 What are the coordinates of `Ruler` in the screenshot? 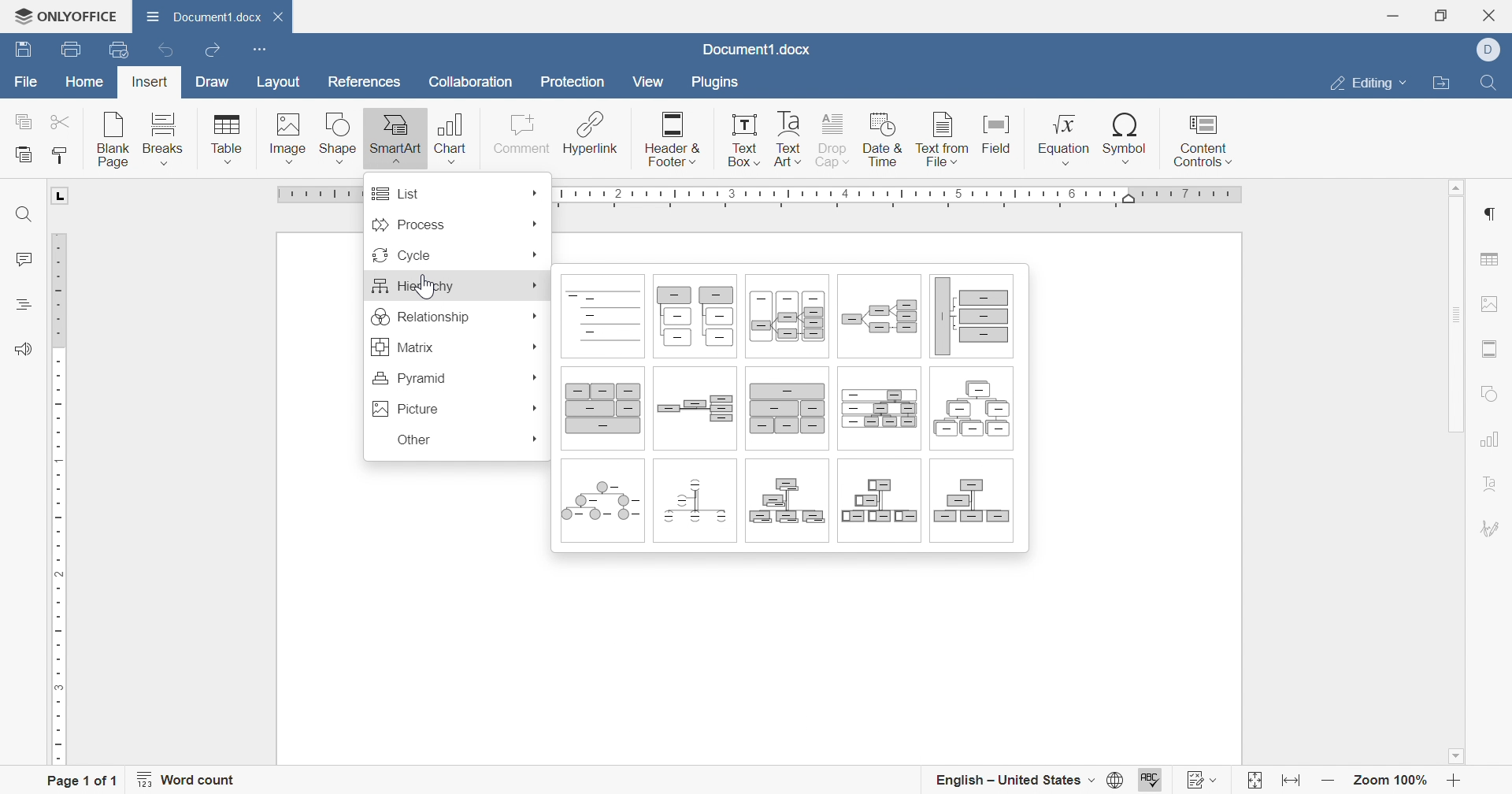 It's located at (57, 477).